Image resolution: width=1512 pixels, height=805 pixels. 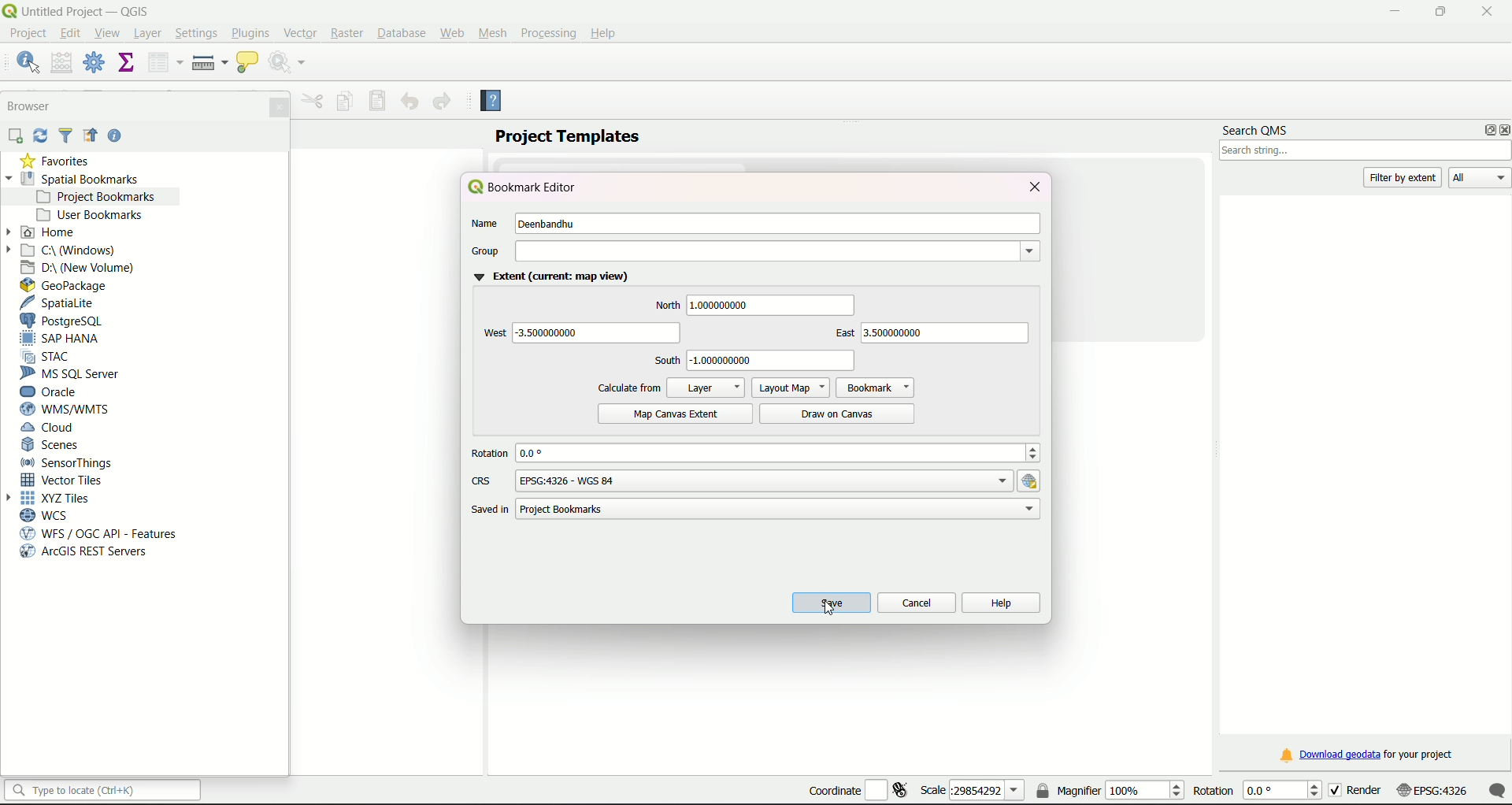 I want to click on search box, so click(x=1366, y=151).